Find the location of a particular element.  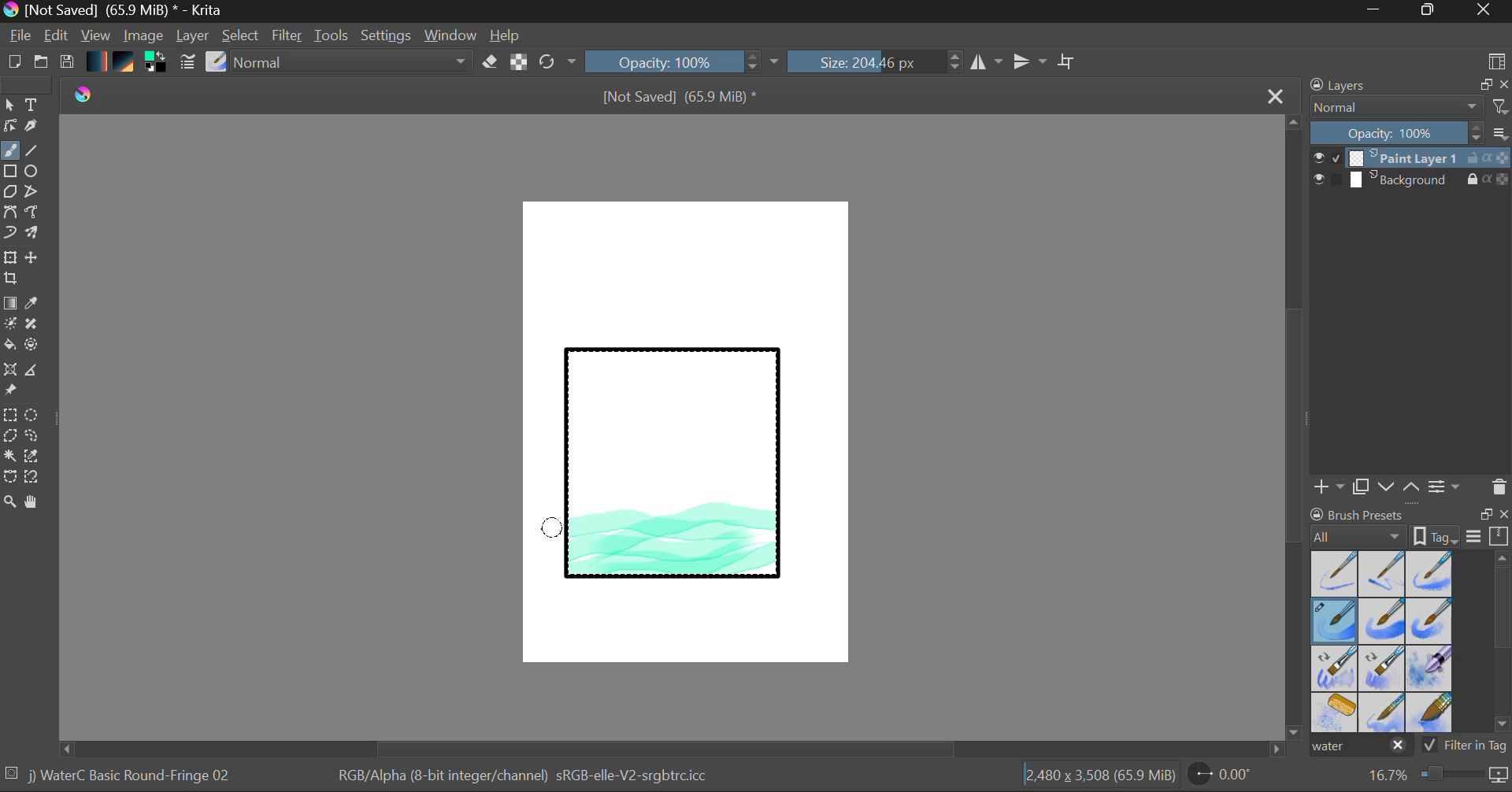

Water C - Spread is located at coordinates (1384, 712).